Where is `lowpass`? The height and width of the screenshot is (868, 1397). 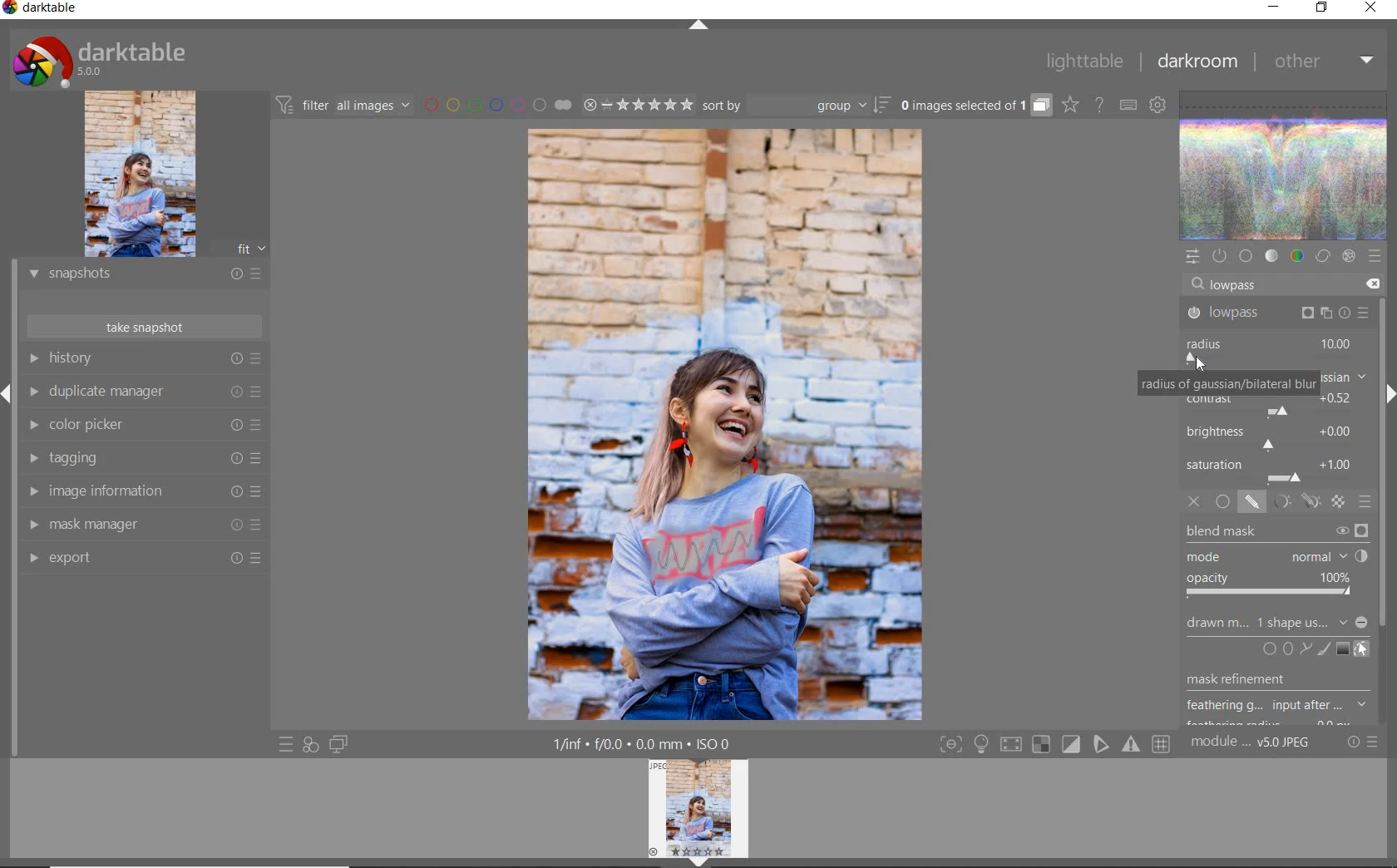
lowpass is located at coordinates (1276, 313).